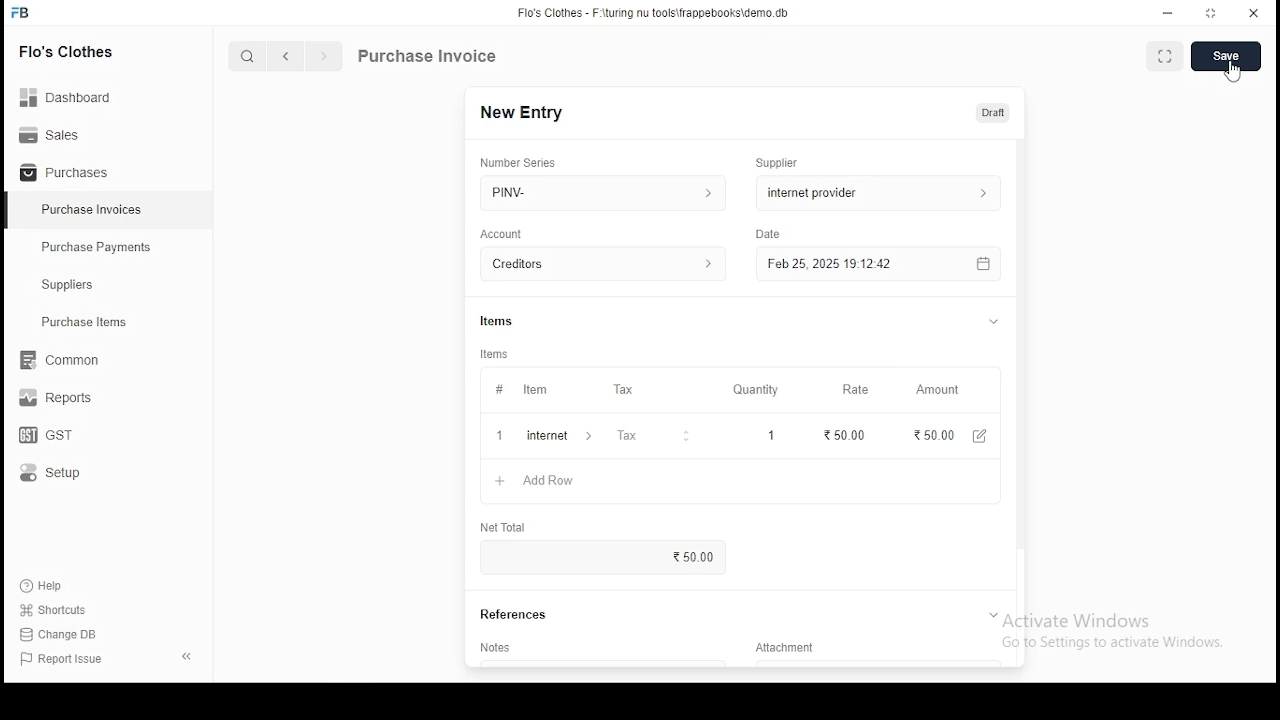 Image resolution: width=1280 pixels, height=720 pixels. What do you see at coordinates (843, 434) in the screenshot?
I see `50.00` at bounding box center [843, 434].